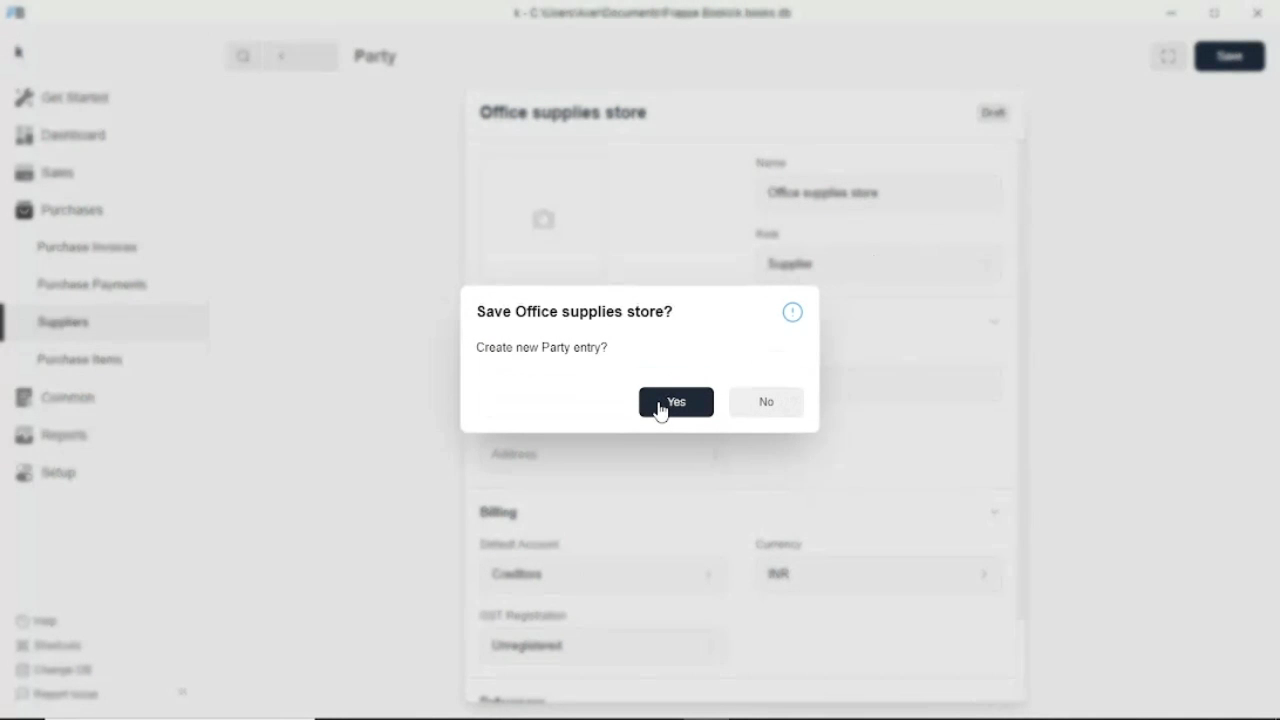  Describe the element at coordinates (882, 193) in the screenshot. I see `Cursor` at that location.